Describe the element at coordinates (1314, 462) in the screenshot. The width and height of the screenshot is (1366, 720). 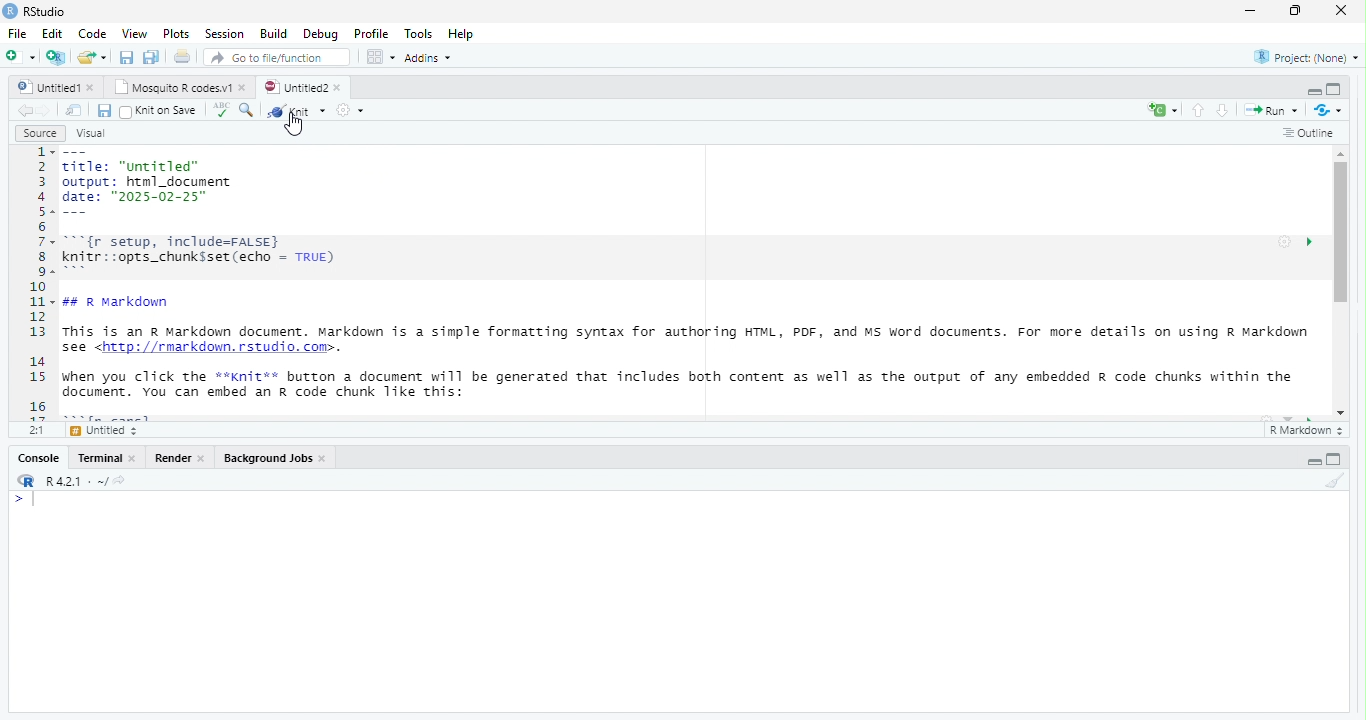
I see `Collapse` at that location.